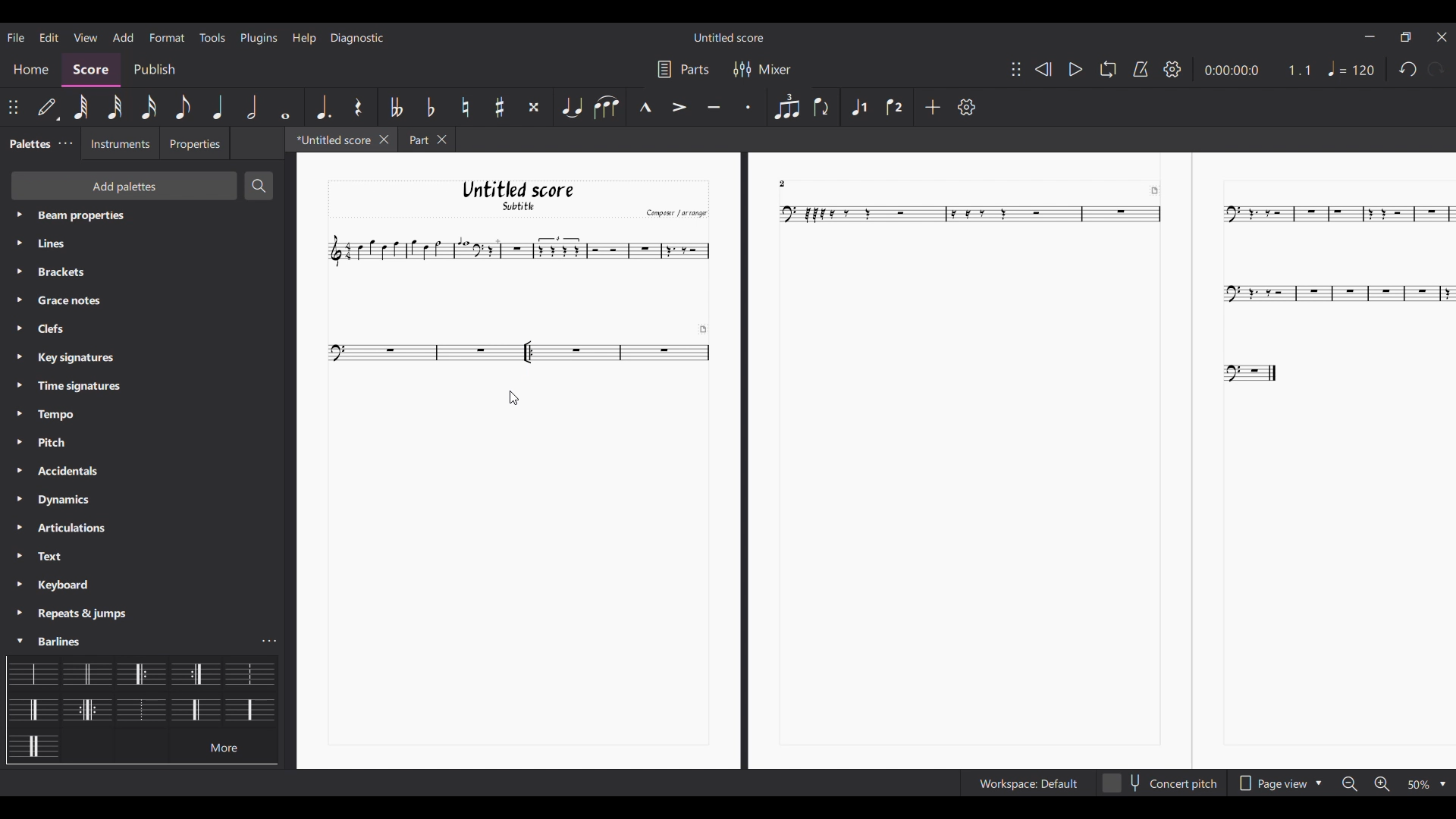  I want to click on Plugins menu, so click(259, 38).